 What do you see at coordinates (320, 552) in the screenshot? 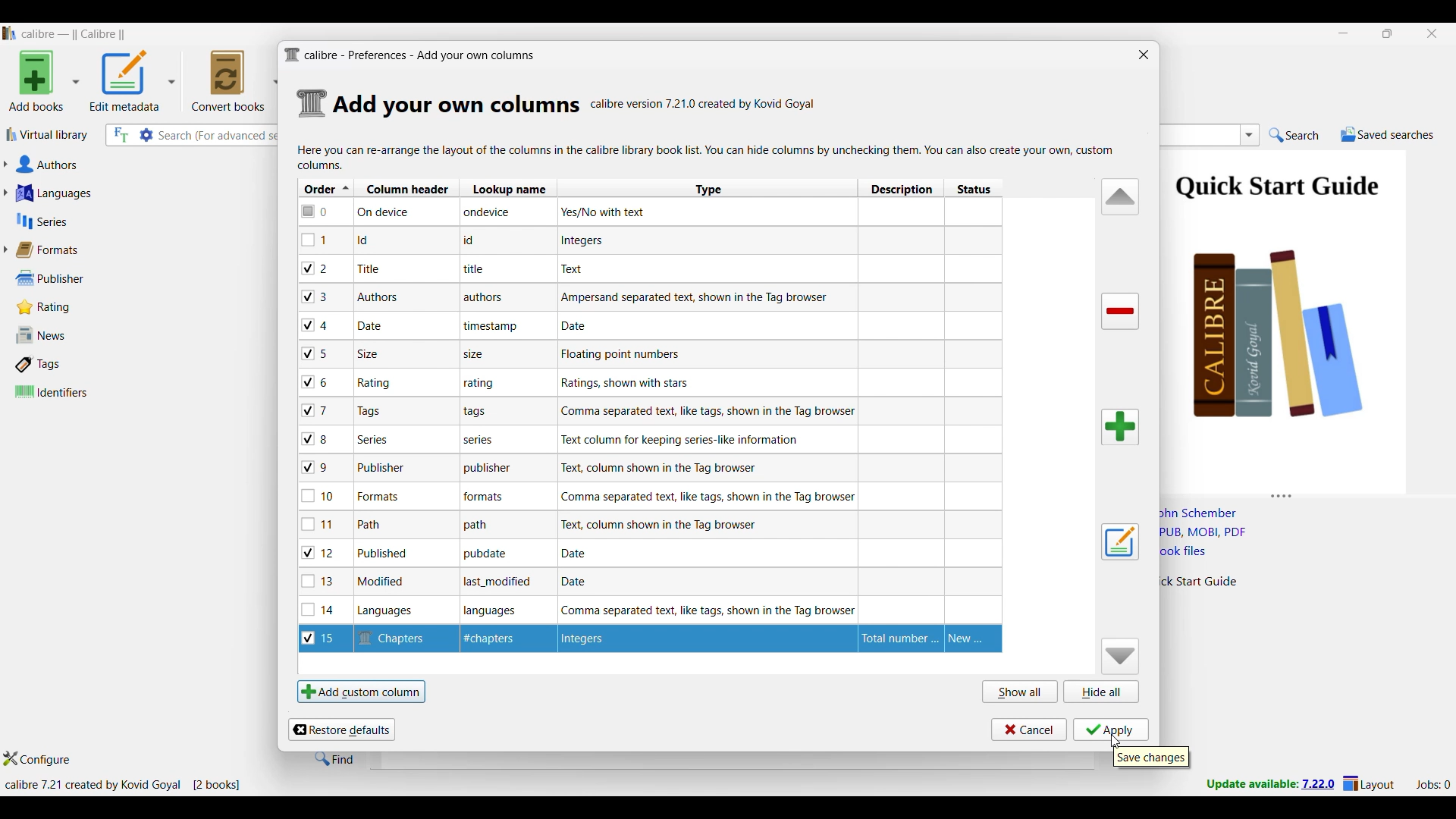
I see `checkbox - 12` at bounding box center [320, 552].